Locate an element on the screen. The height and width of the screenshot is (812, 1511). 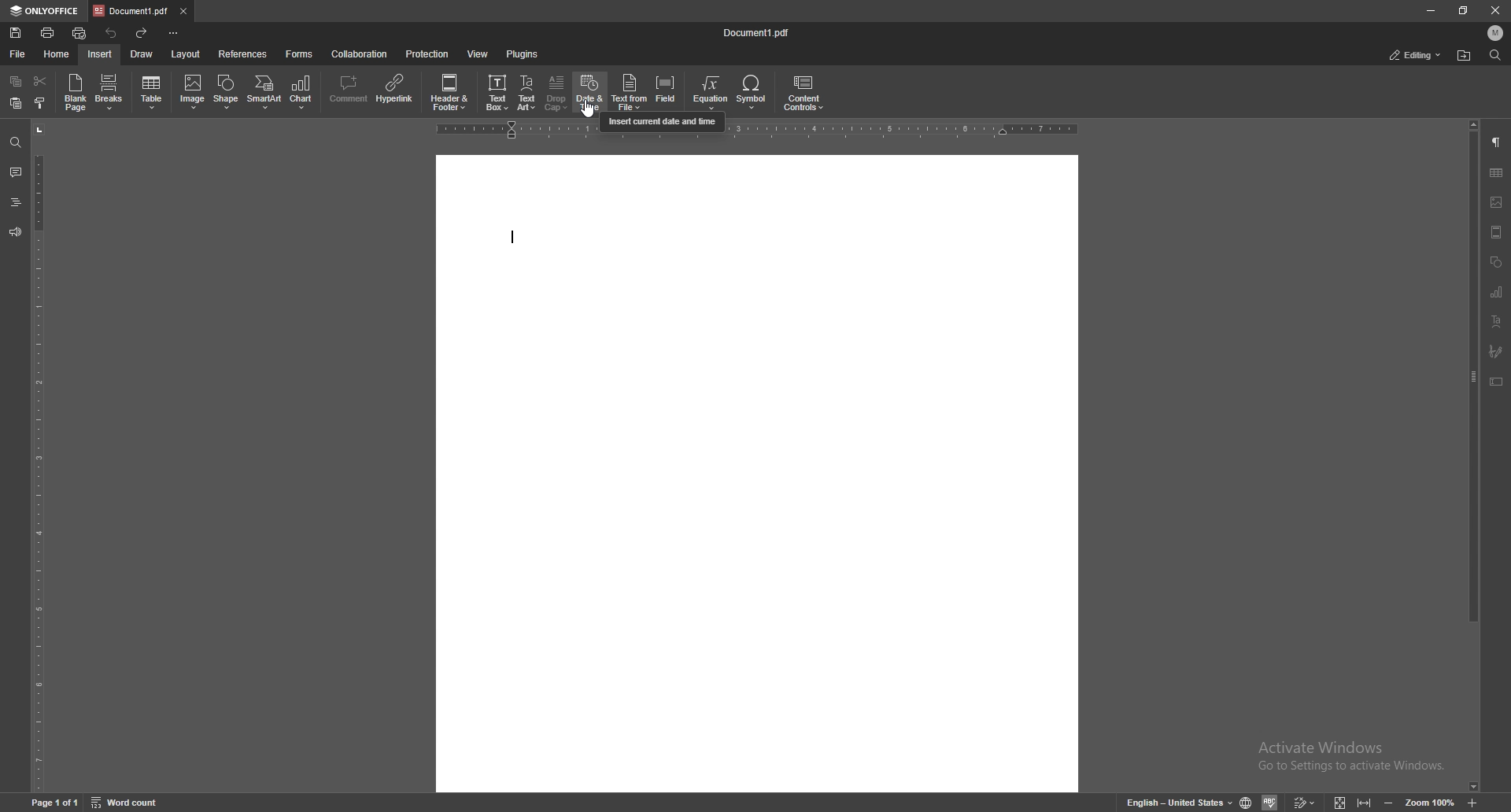
vertical scale is located at coordinates (41, 458).